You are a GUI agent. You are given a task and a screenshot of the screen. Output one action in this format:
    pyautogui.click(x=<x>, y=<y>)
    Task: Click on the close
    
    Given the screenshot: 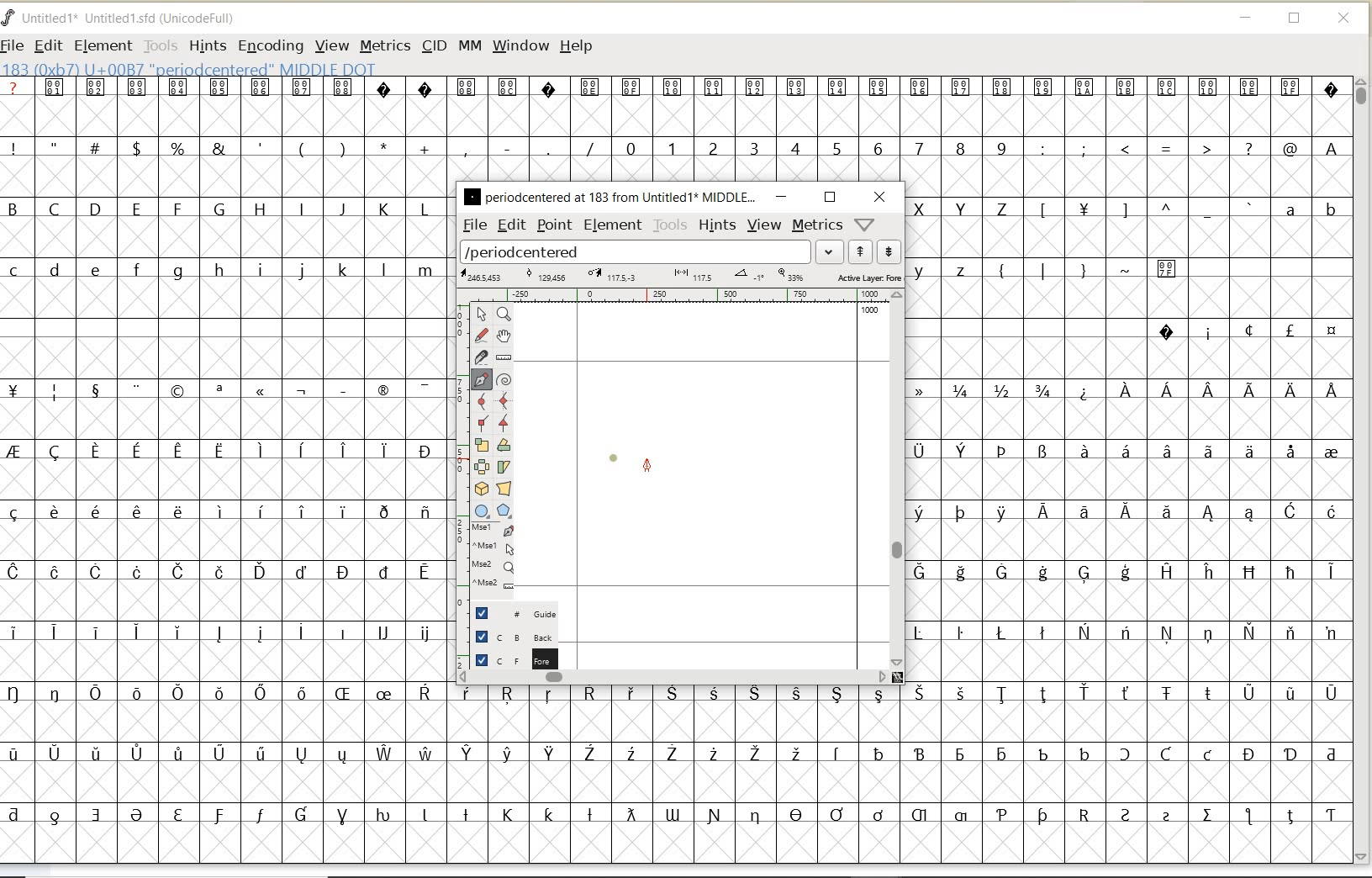 What is the action you would take?
    pyautogui.click(x=879, y=197)
    